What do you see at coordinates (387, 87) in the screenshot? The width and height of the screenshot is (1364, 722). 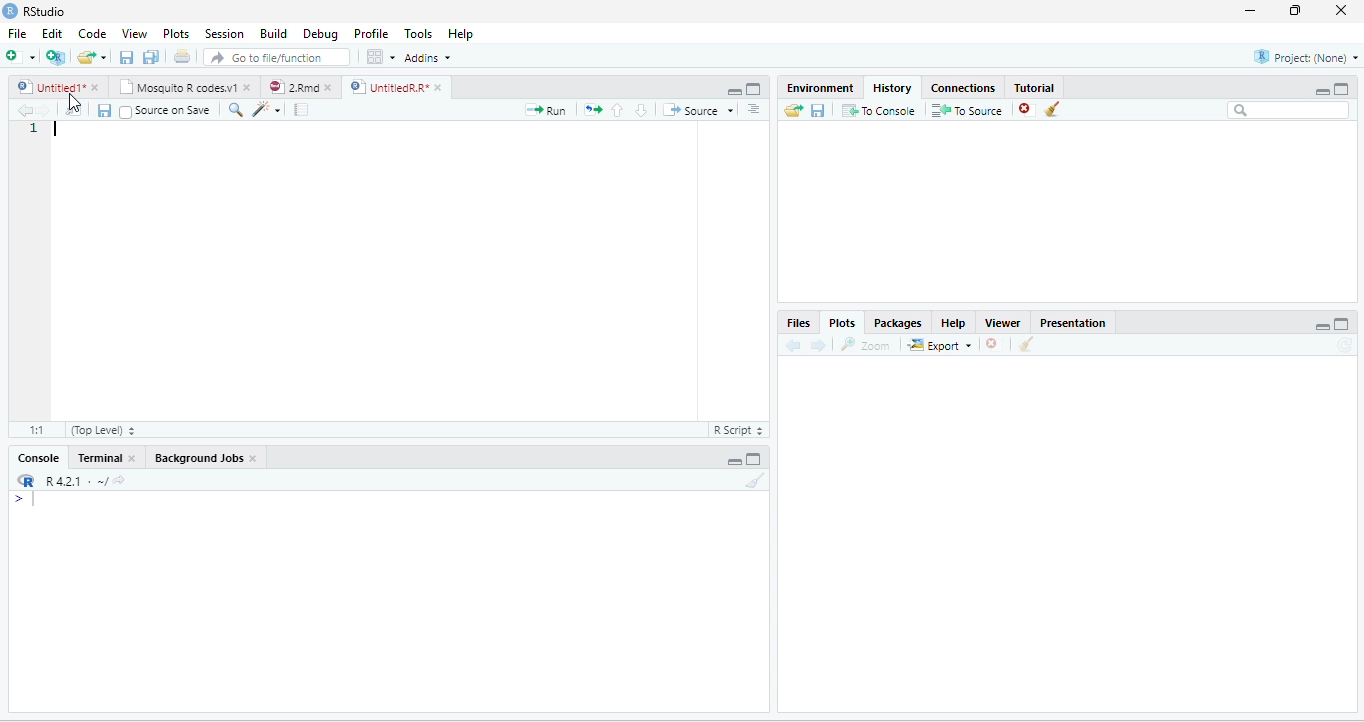 I see `UntitledR.R*` at bounding box center [387, 87].